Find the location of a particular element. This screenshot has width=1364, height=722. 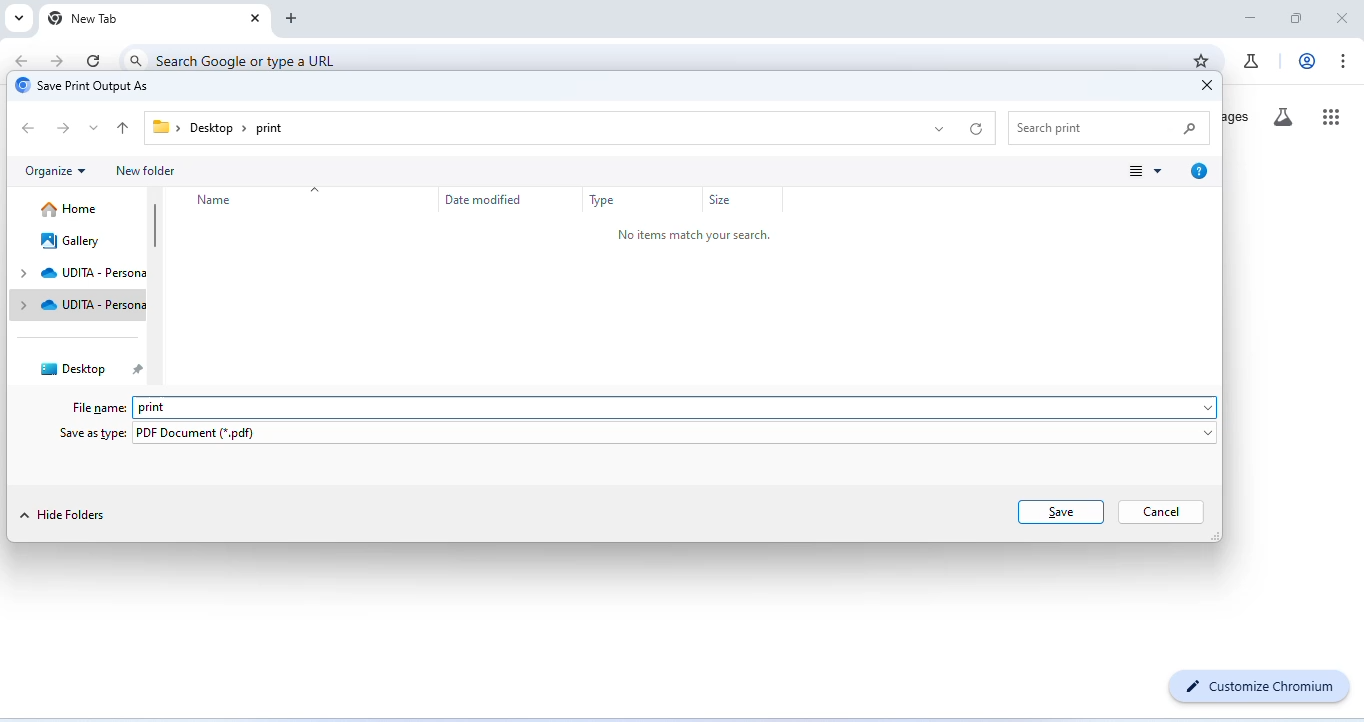

drop down is located at coordinates (939, 128).